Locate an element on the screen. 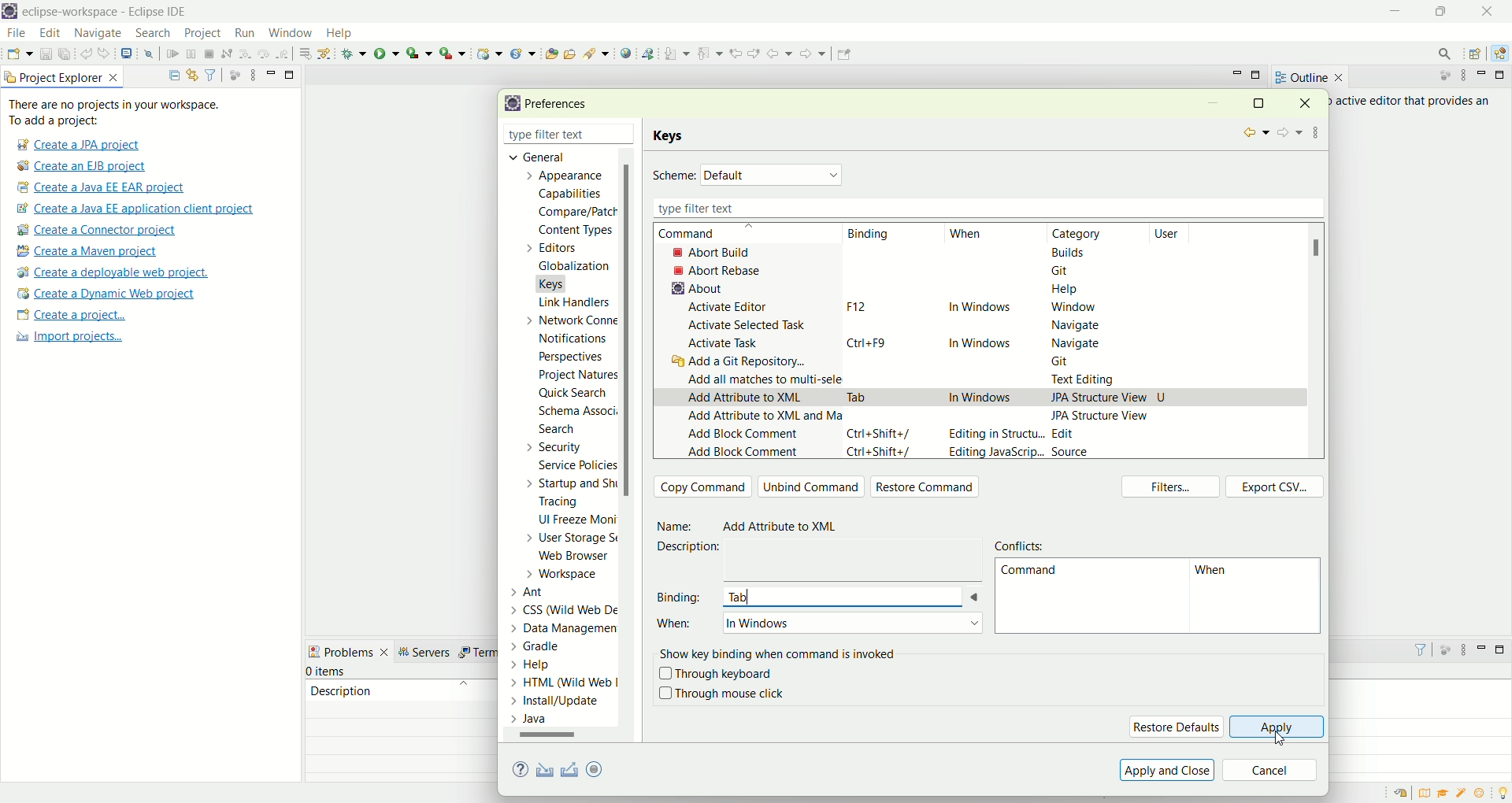  content types is located at coordinates (571, 231).